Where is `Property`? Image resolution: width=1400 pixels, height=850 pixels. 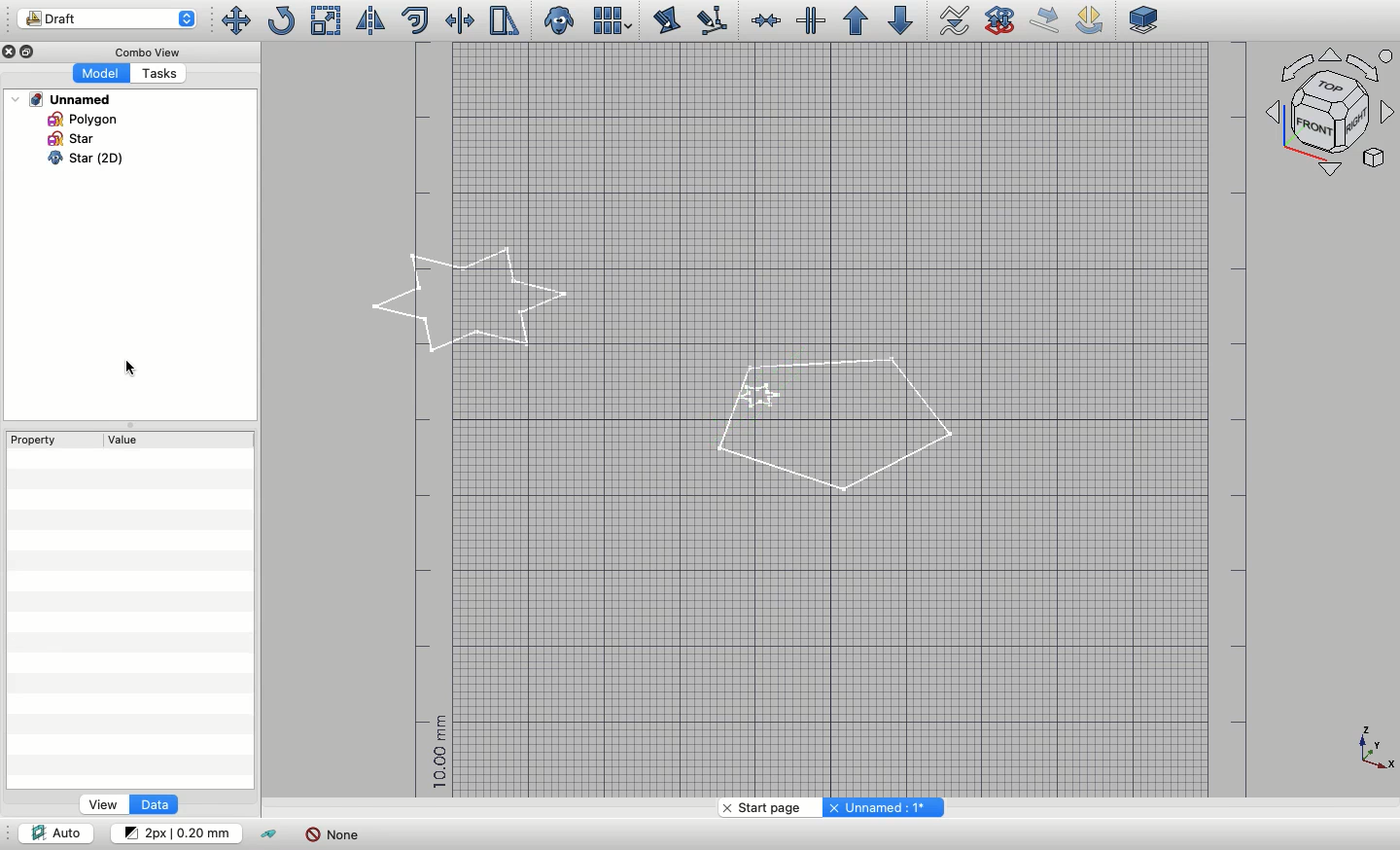 Property is located at coordinates (34, 440).